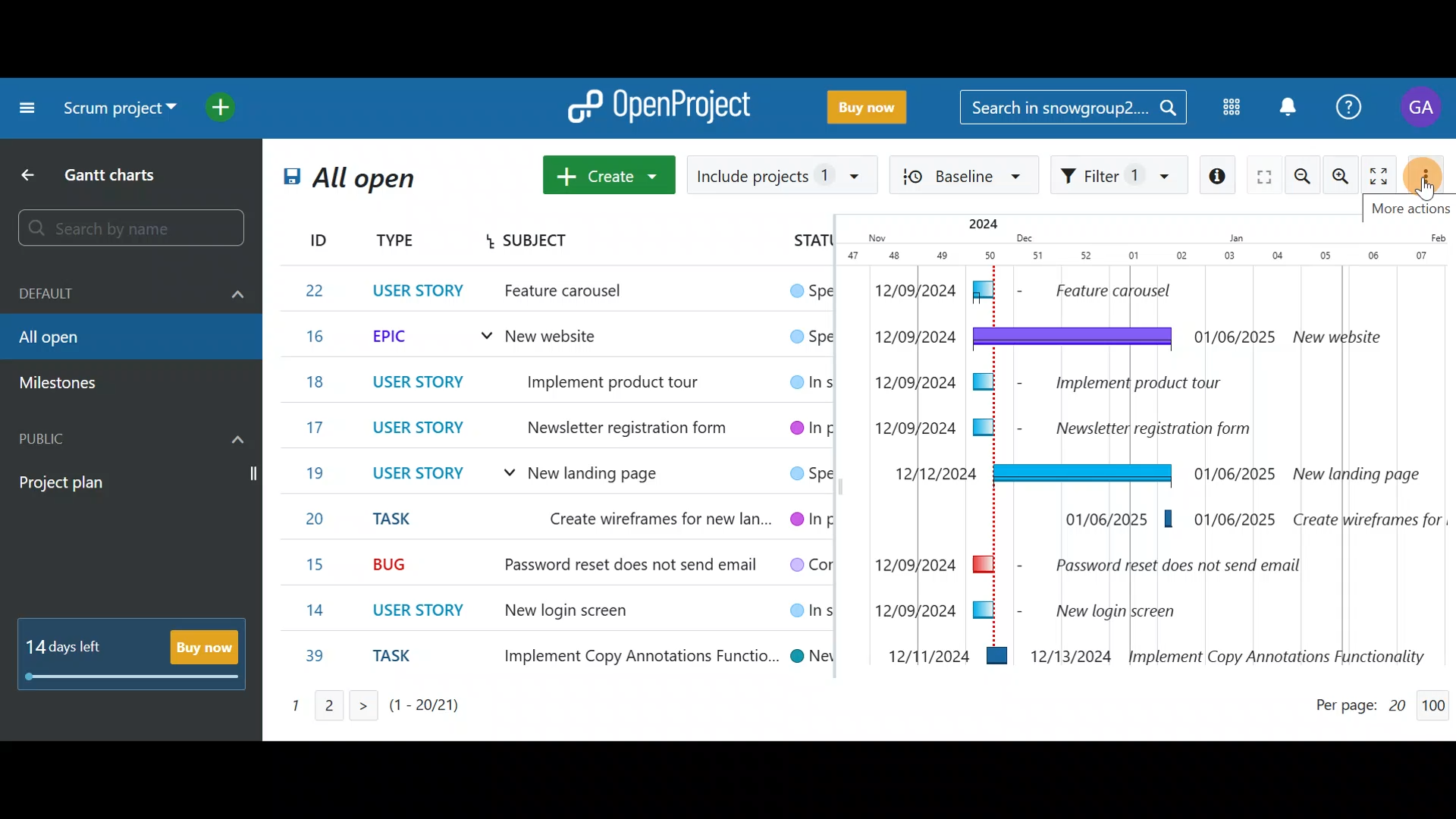  I want to click on Implement product tour, so click(634, 380).